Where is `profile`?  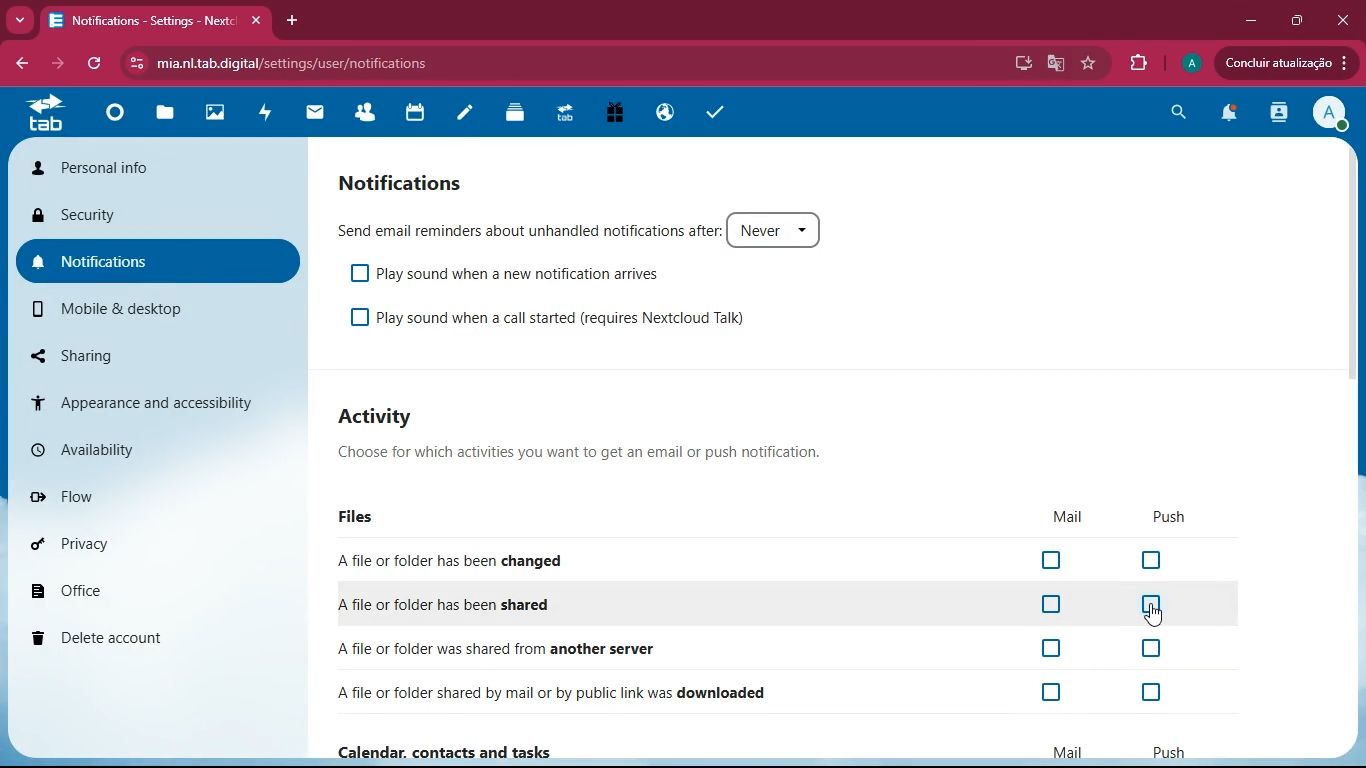
profile is located at coordinates (1329, 116).